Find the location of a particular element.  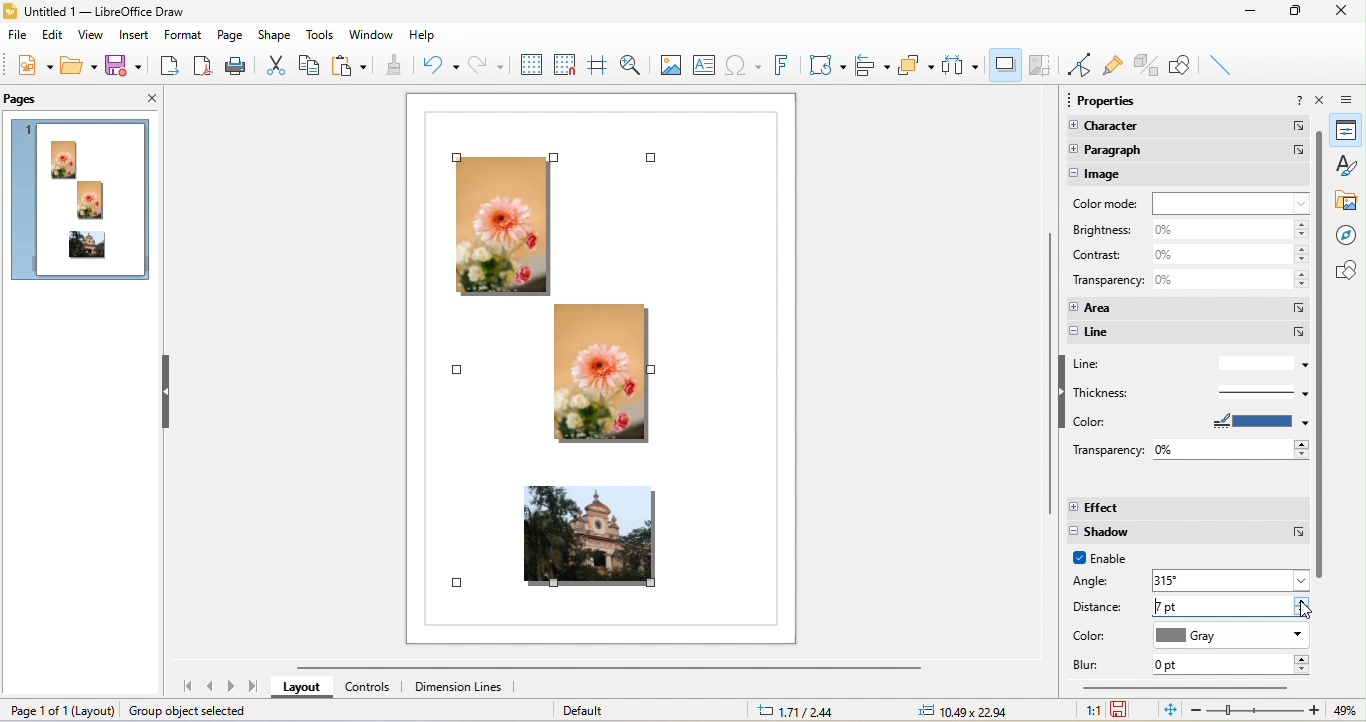

line is located at coordinates (1189, 333).